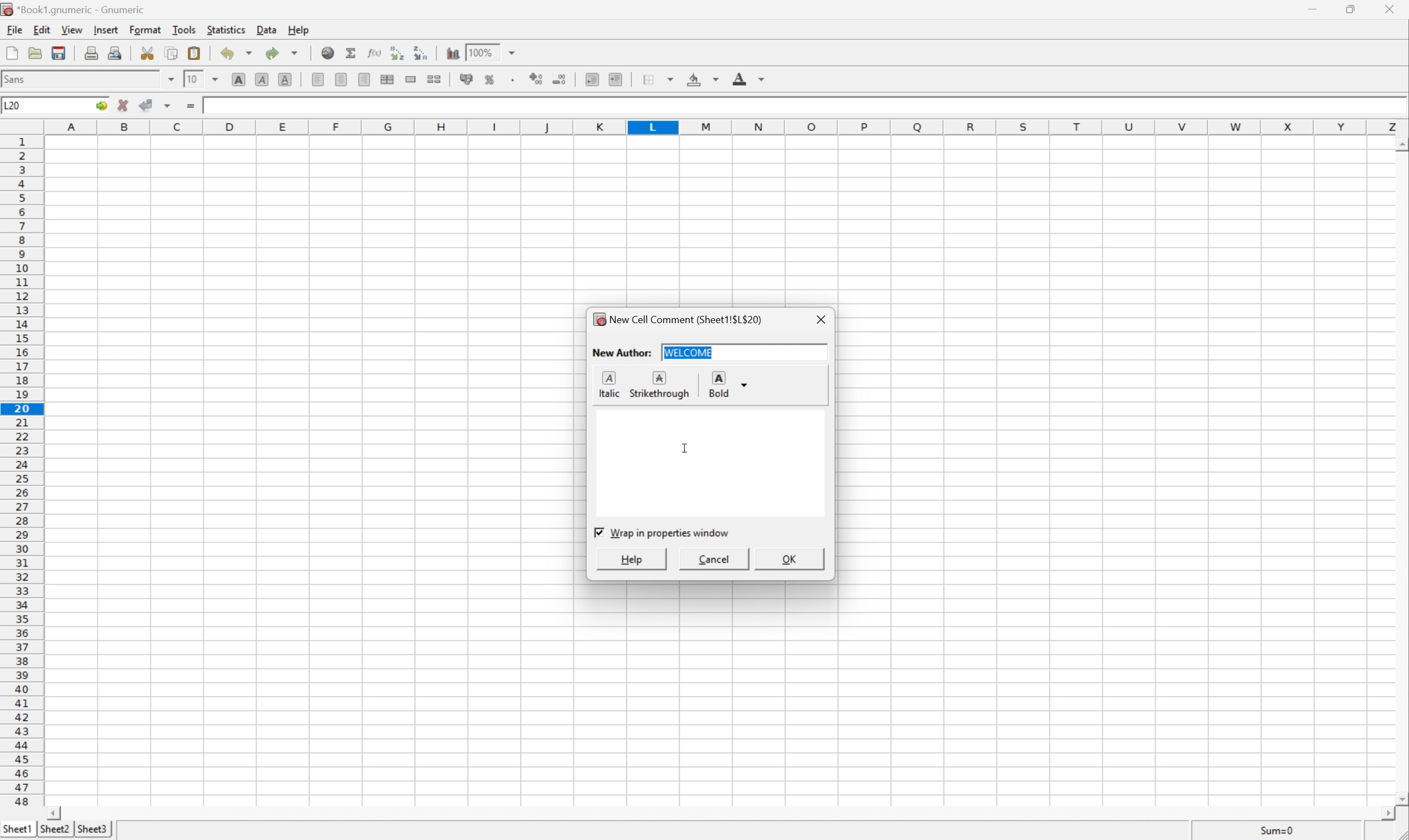  What do you see at coordinates (1380, 813) in the screenshot?
I see `Scroll Right` at bounding box center [1380, 813].